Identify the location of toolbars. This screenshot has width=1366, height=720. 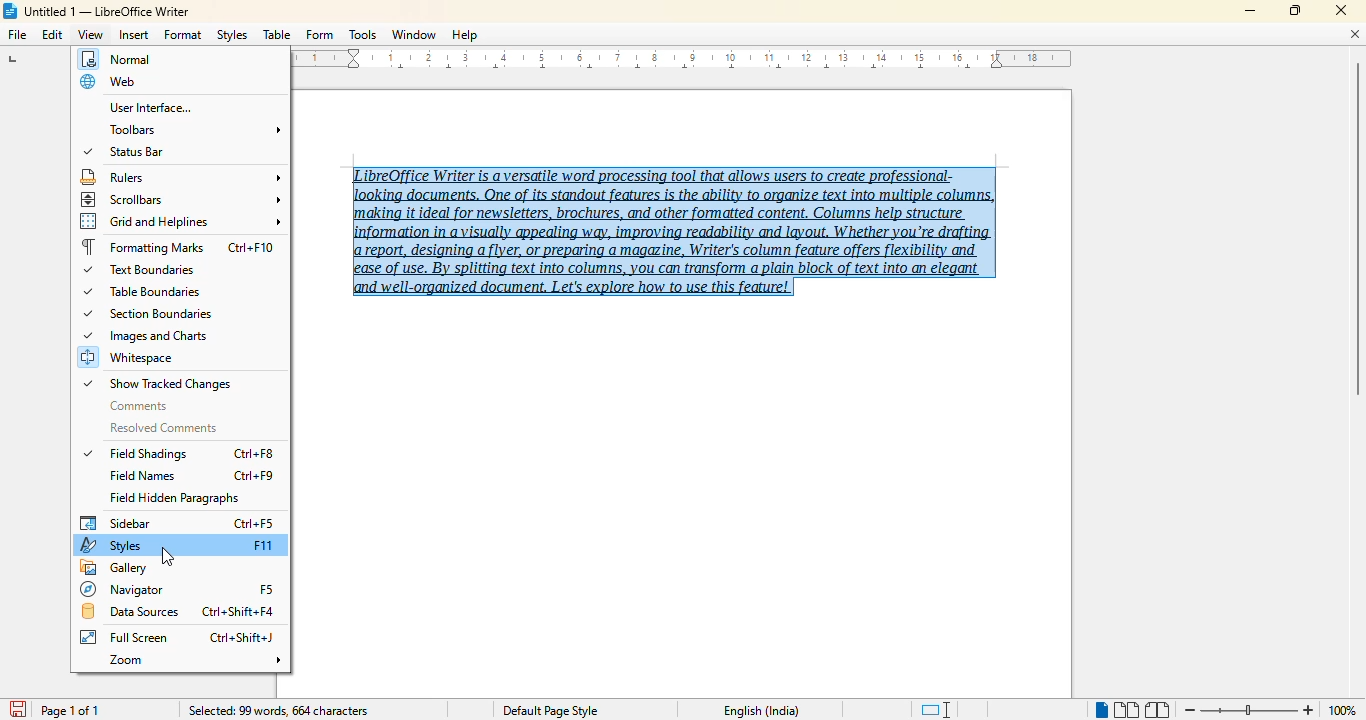
(194, 129).